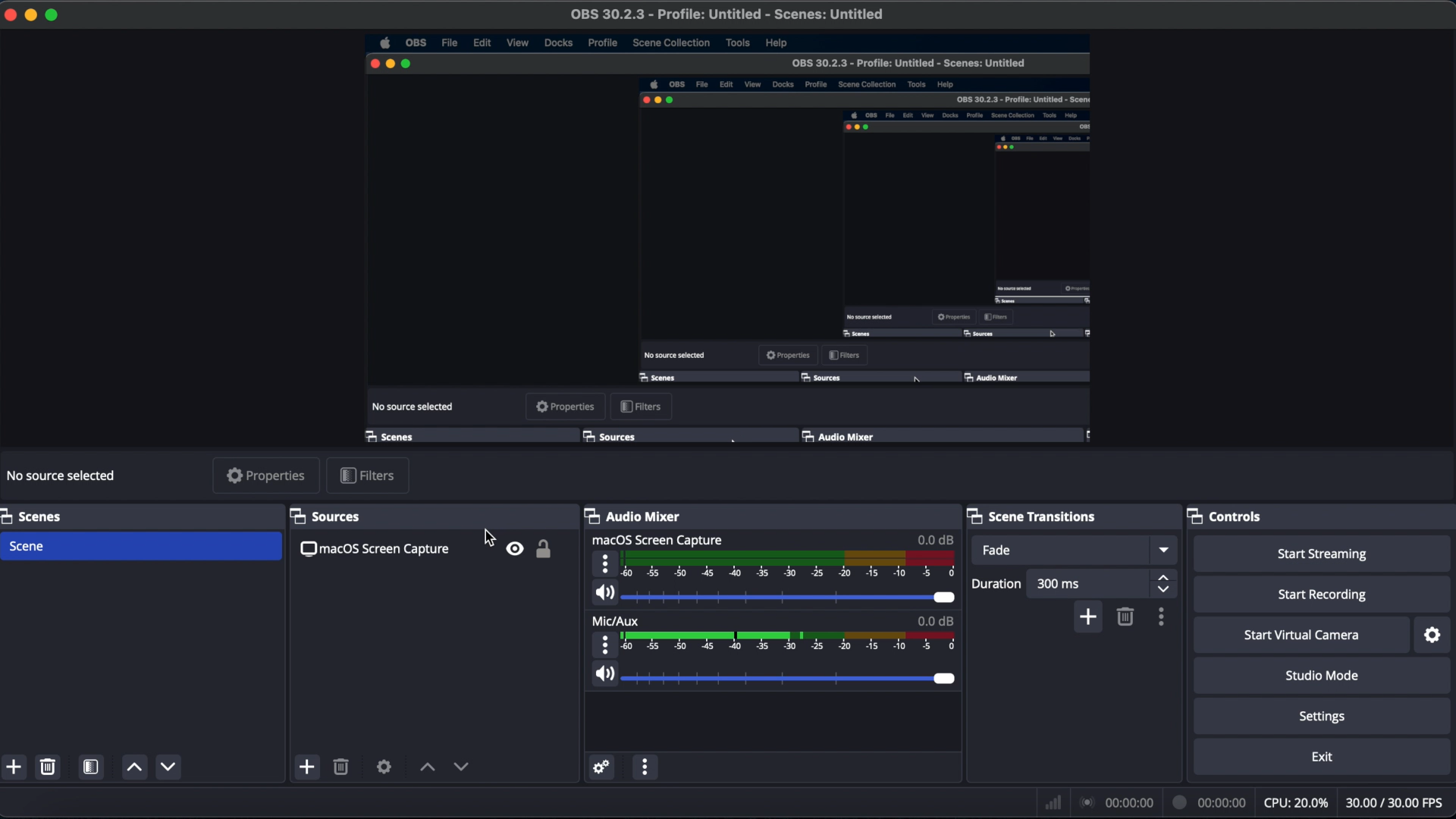 This screenshot has height=819, width=1456. Describe the element at coordinates (90, 767) in the screenshot. I see `open scene filters` at that location.